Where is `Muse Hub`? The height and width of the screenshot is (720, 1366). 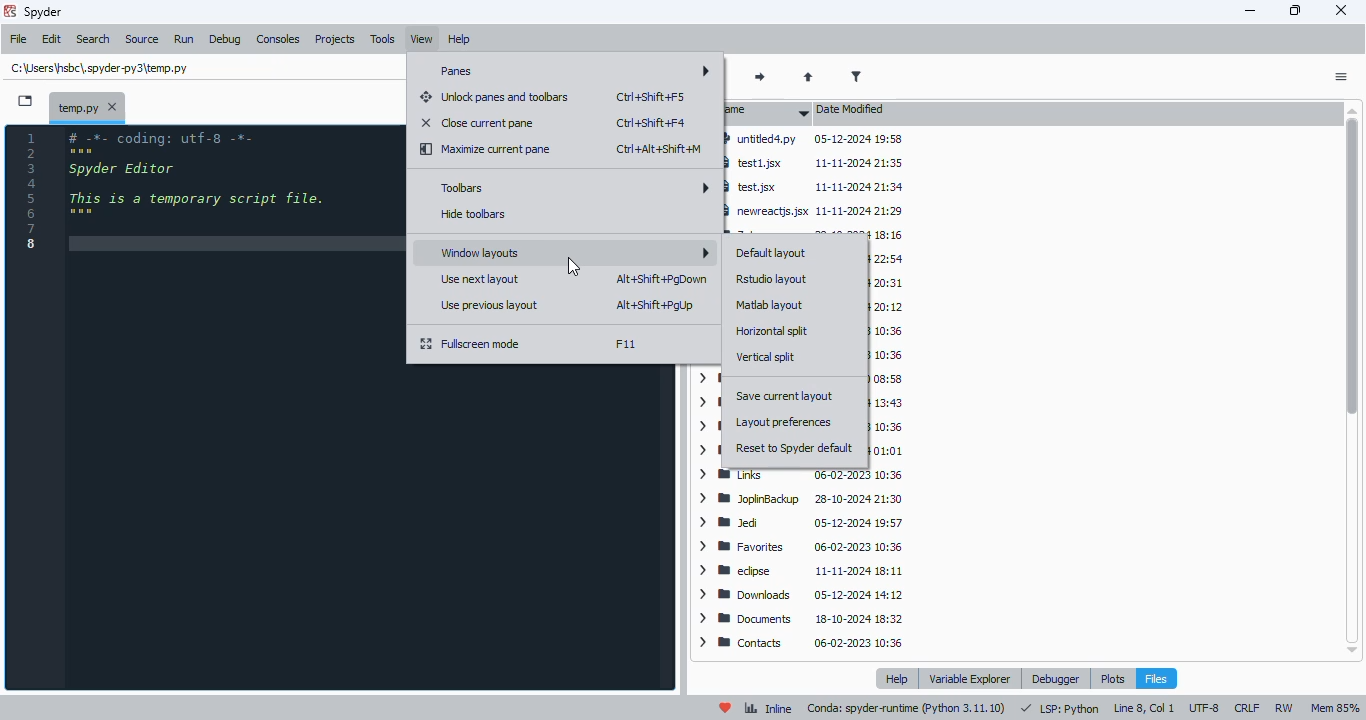
Muse Hub is located at coordinates (888, 451).